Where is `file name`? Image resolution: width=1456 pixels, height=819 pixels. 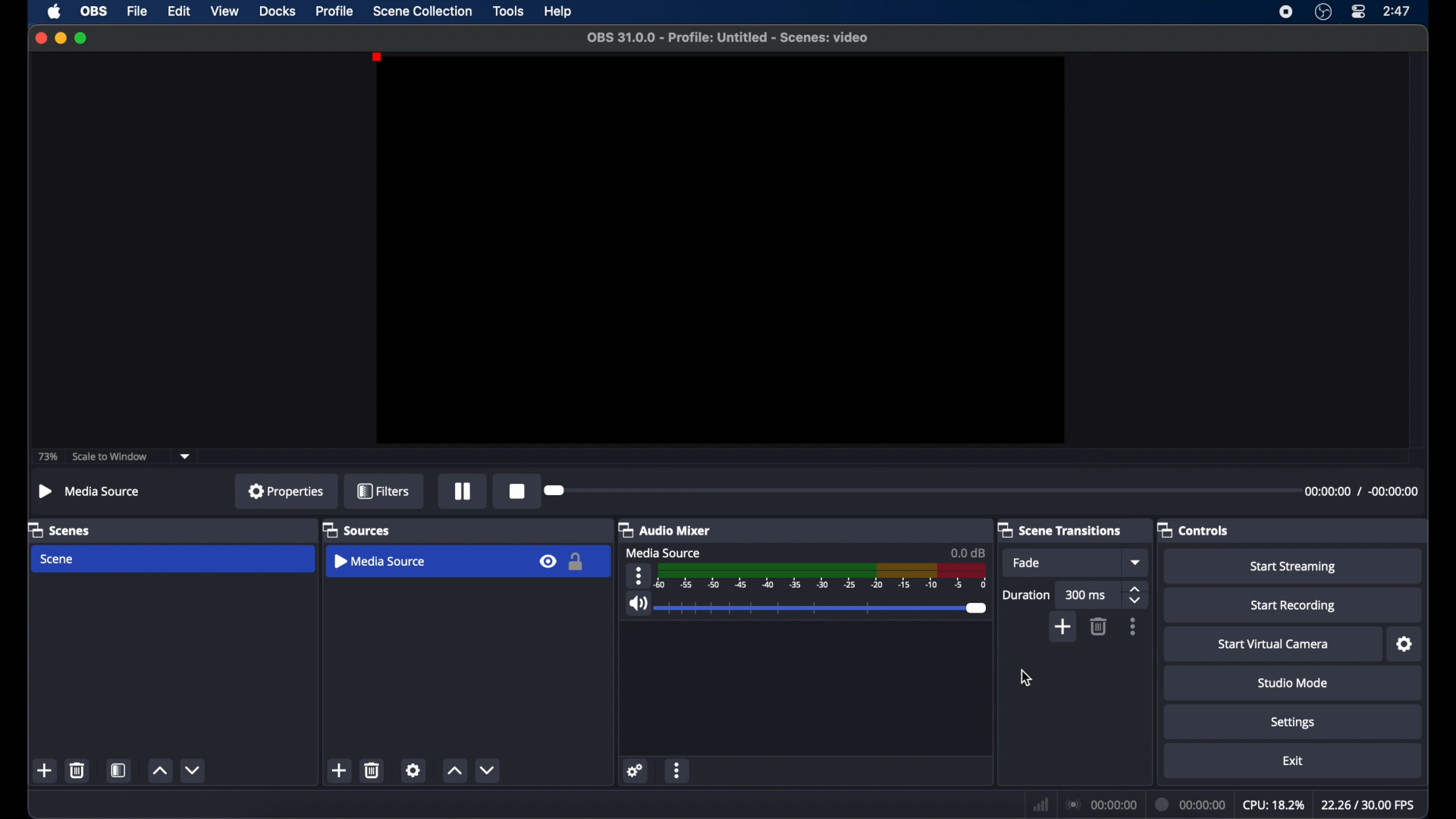
file name is located at coordinates (728, 38).